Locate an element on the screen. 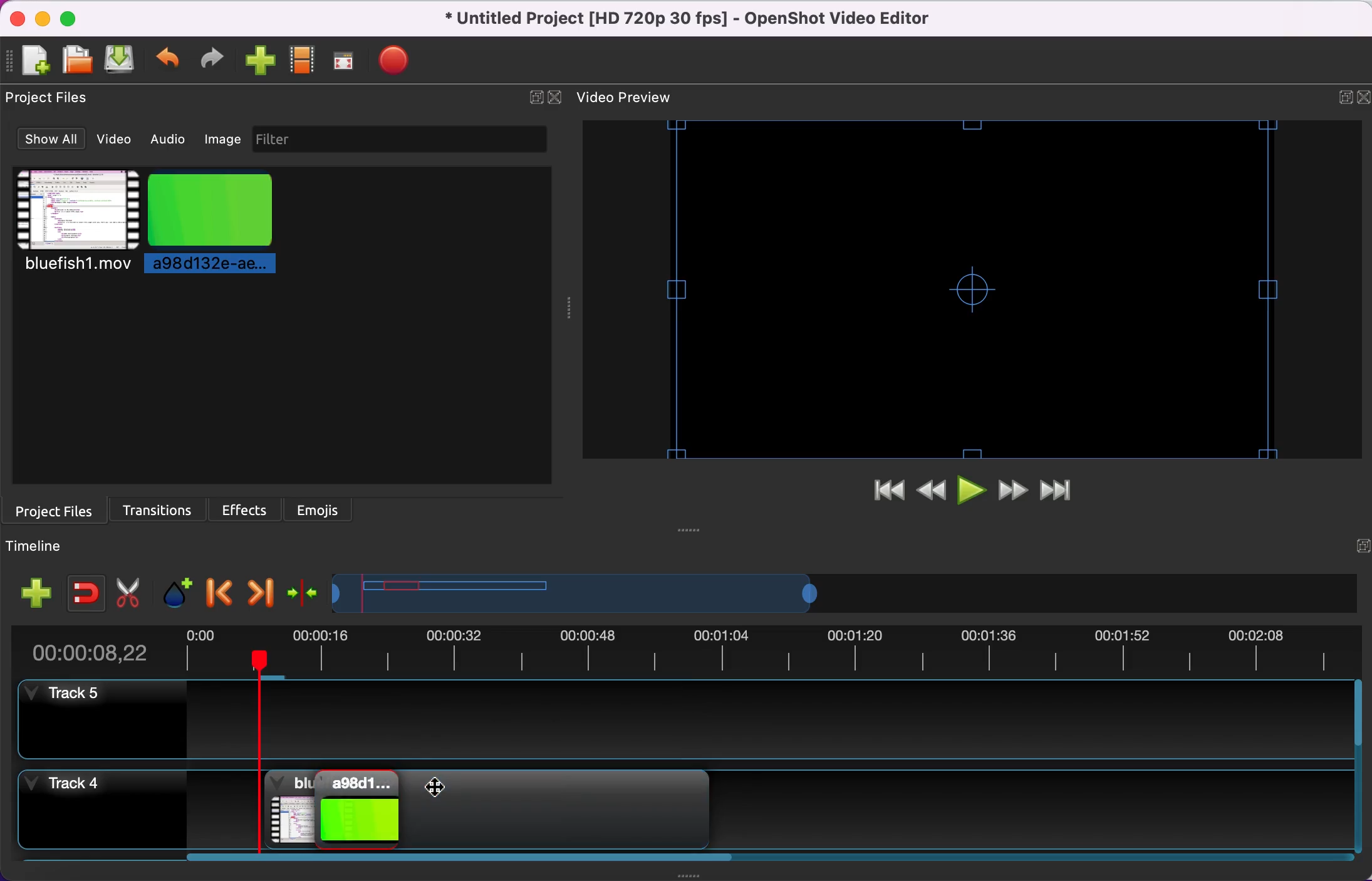 This screenshot has height=881, width=1372. add marker is located at coordinates (179, 591).